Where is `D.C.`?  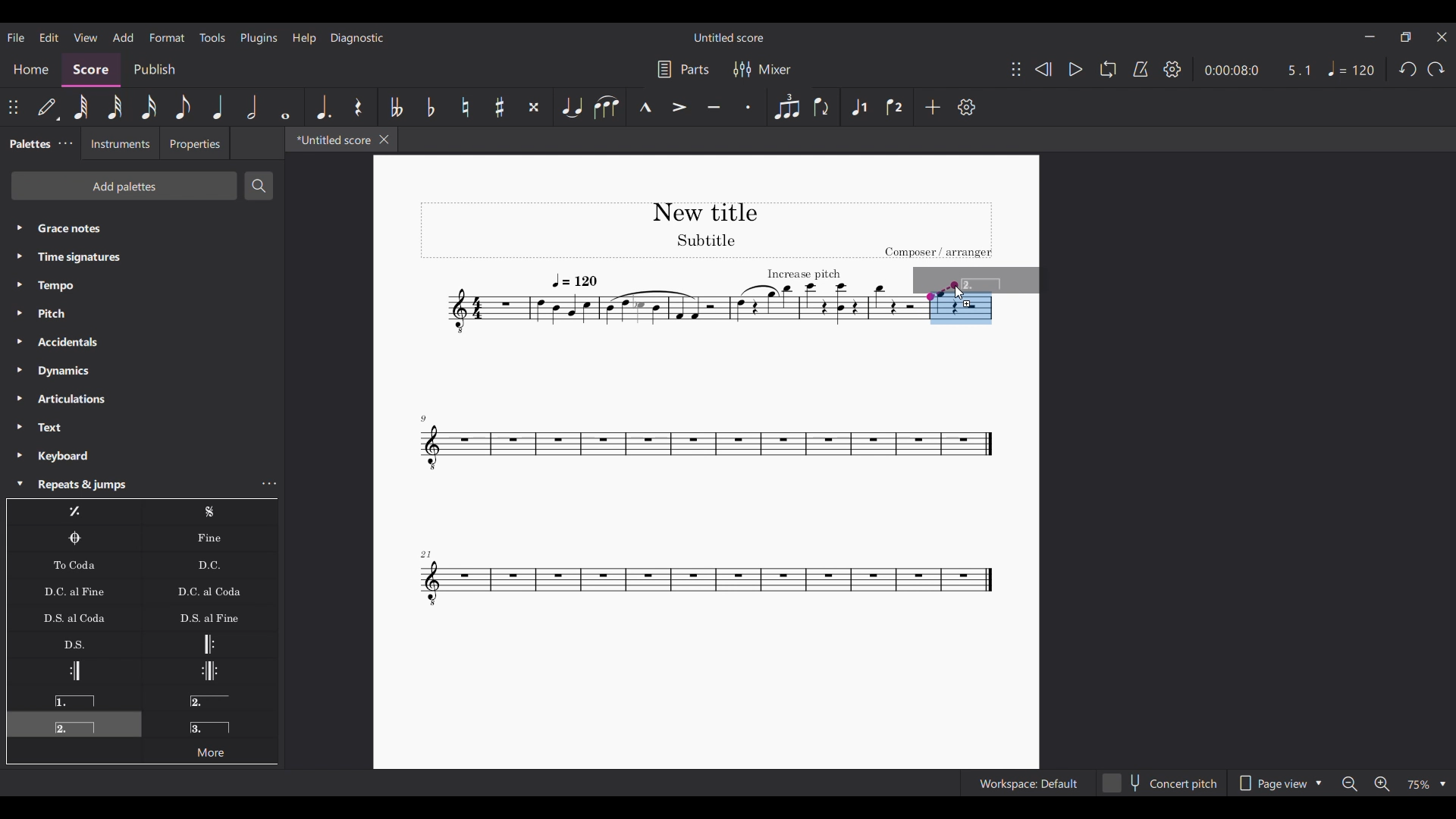
D.C. is located at coordinates (209, 565).